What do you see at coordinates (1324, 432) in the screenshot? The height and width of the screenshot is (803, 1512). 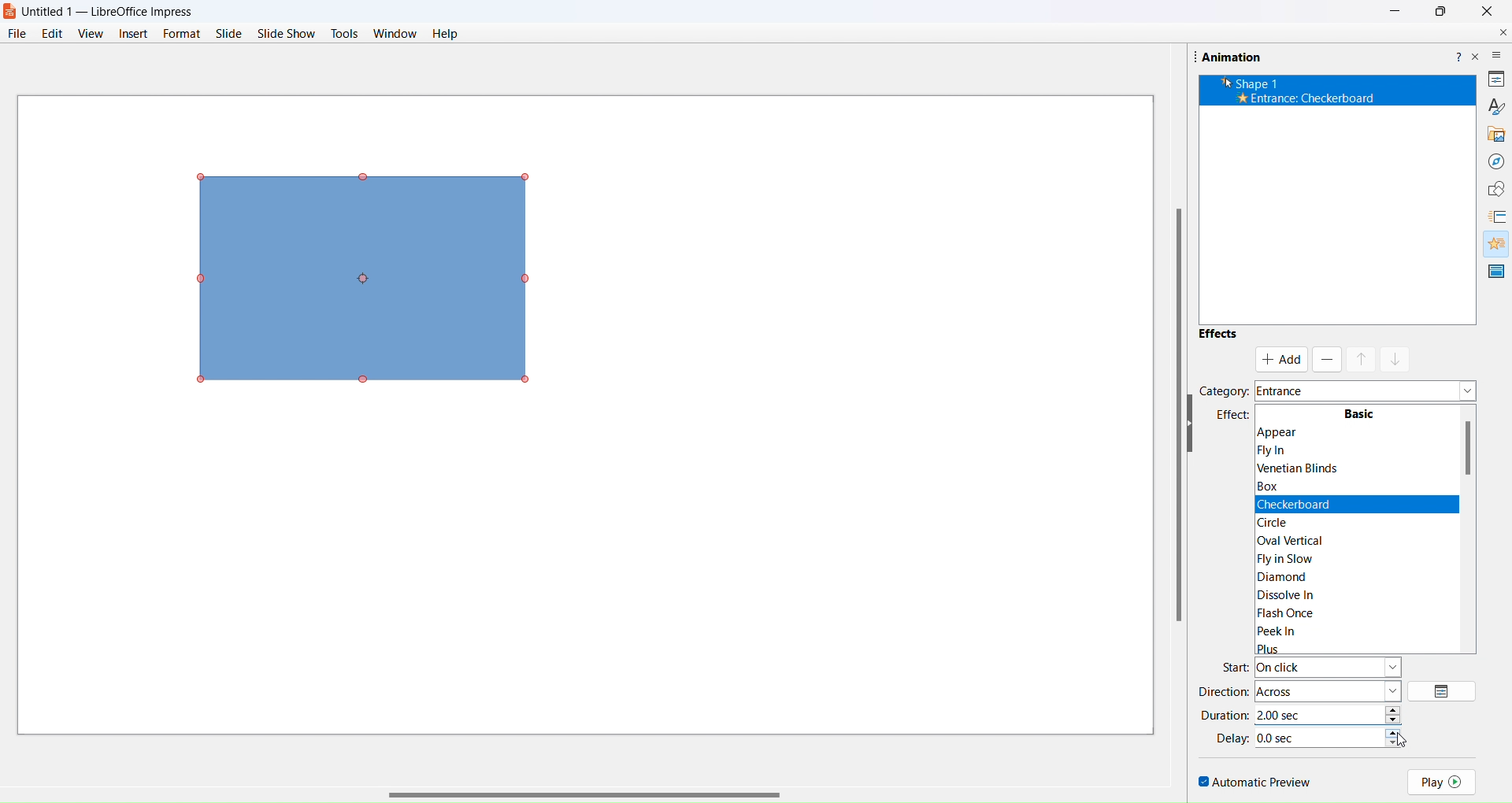 I see `Appear` at bounding box center [1324, 432].